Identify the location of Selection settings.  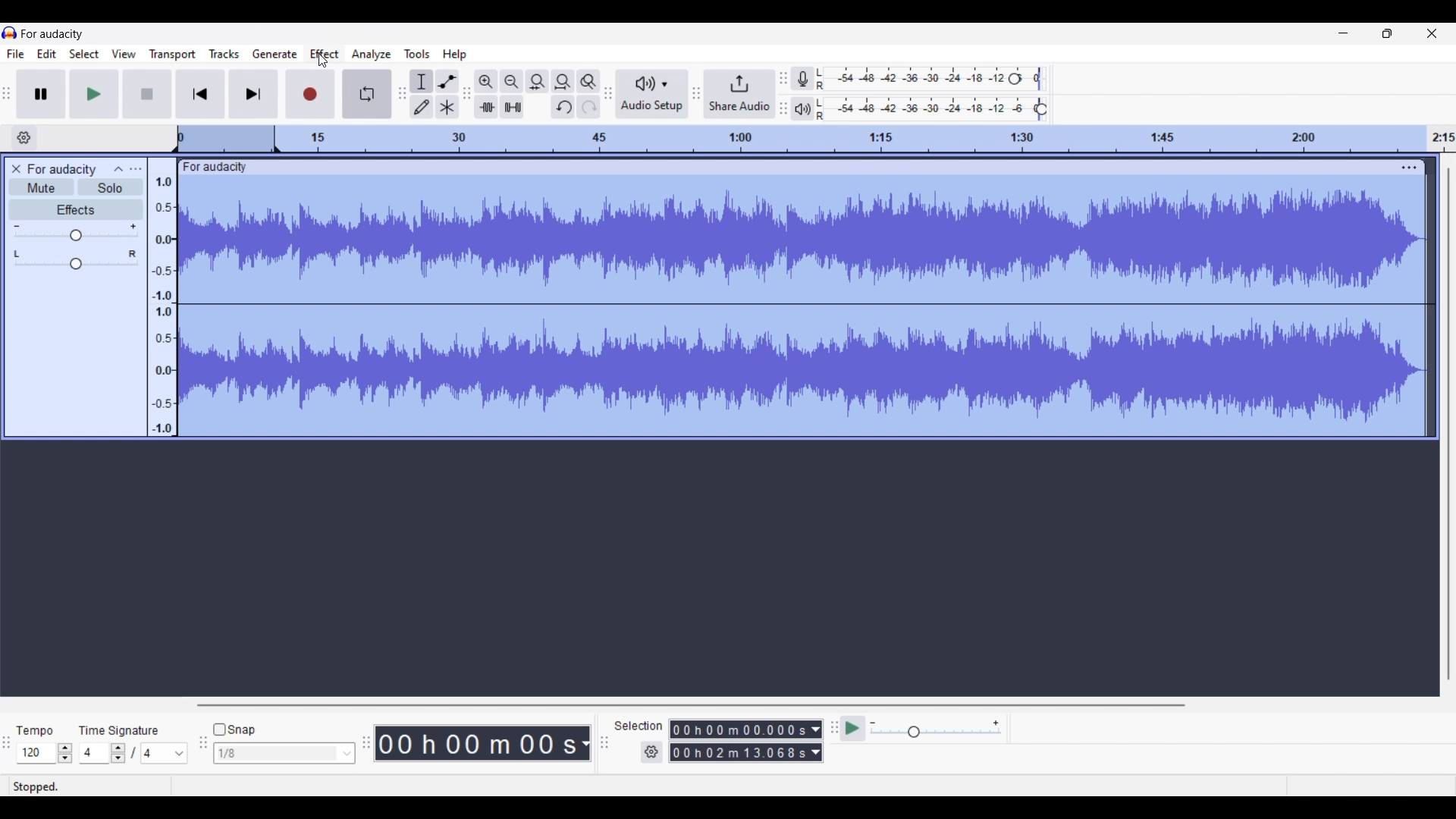
(651, 752).